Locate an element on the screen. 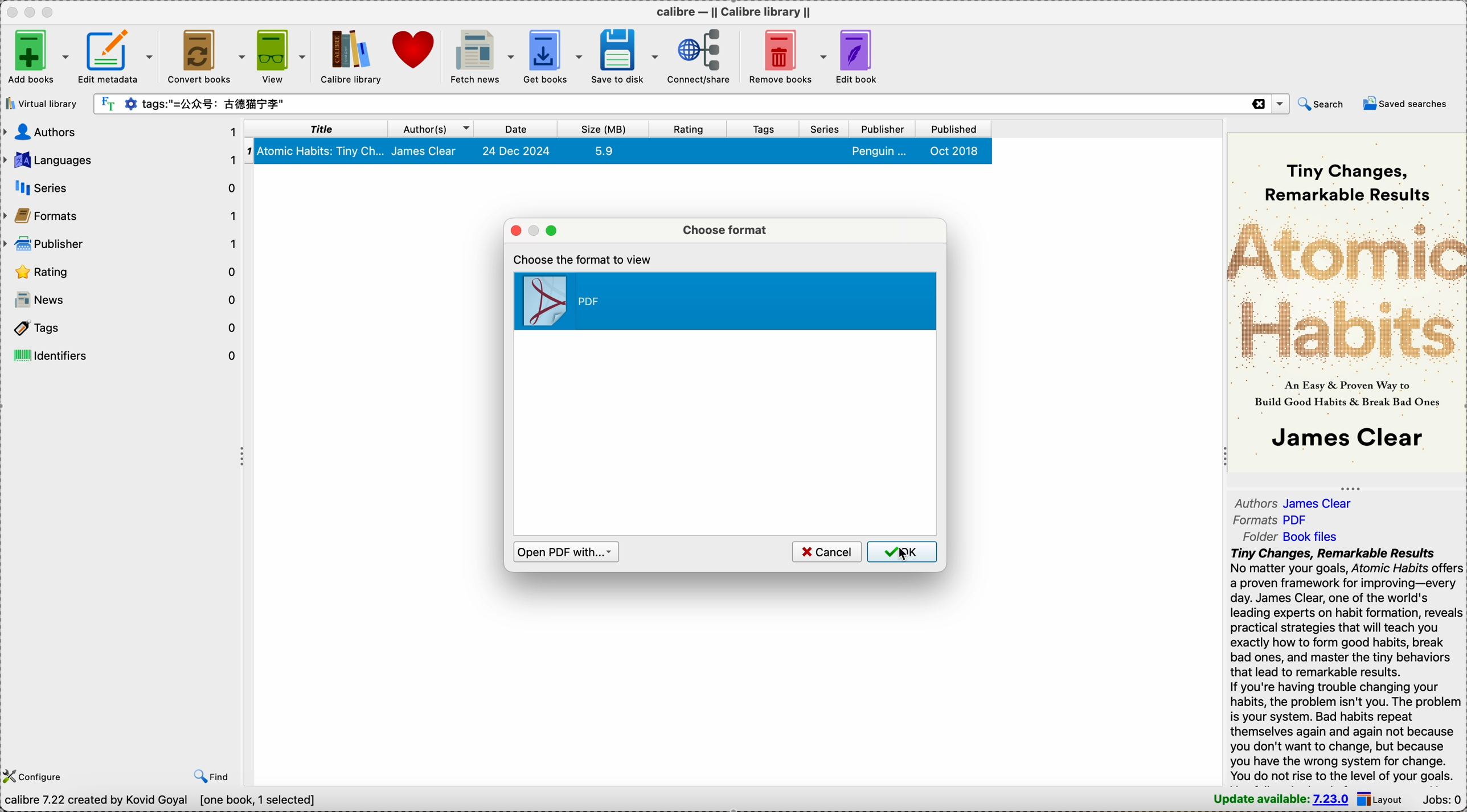 The width and height of the screenshot is (1467, 812). remove books is located at coordinates (784, 58).